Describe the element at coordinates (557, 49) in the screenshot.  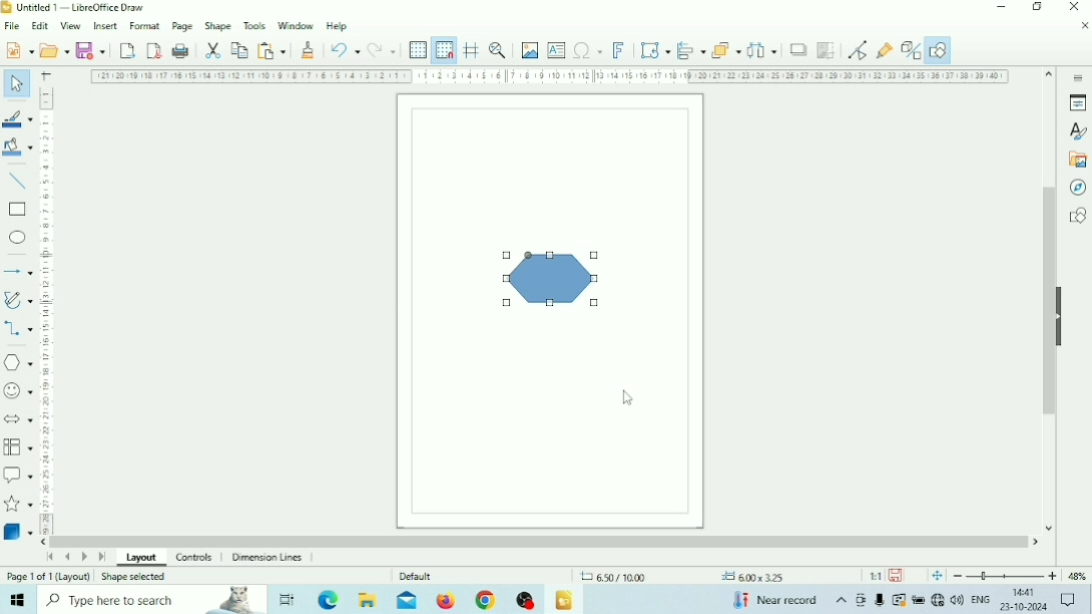
I see `Insert Text Box` at that location.